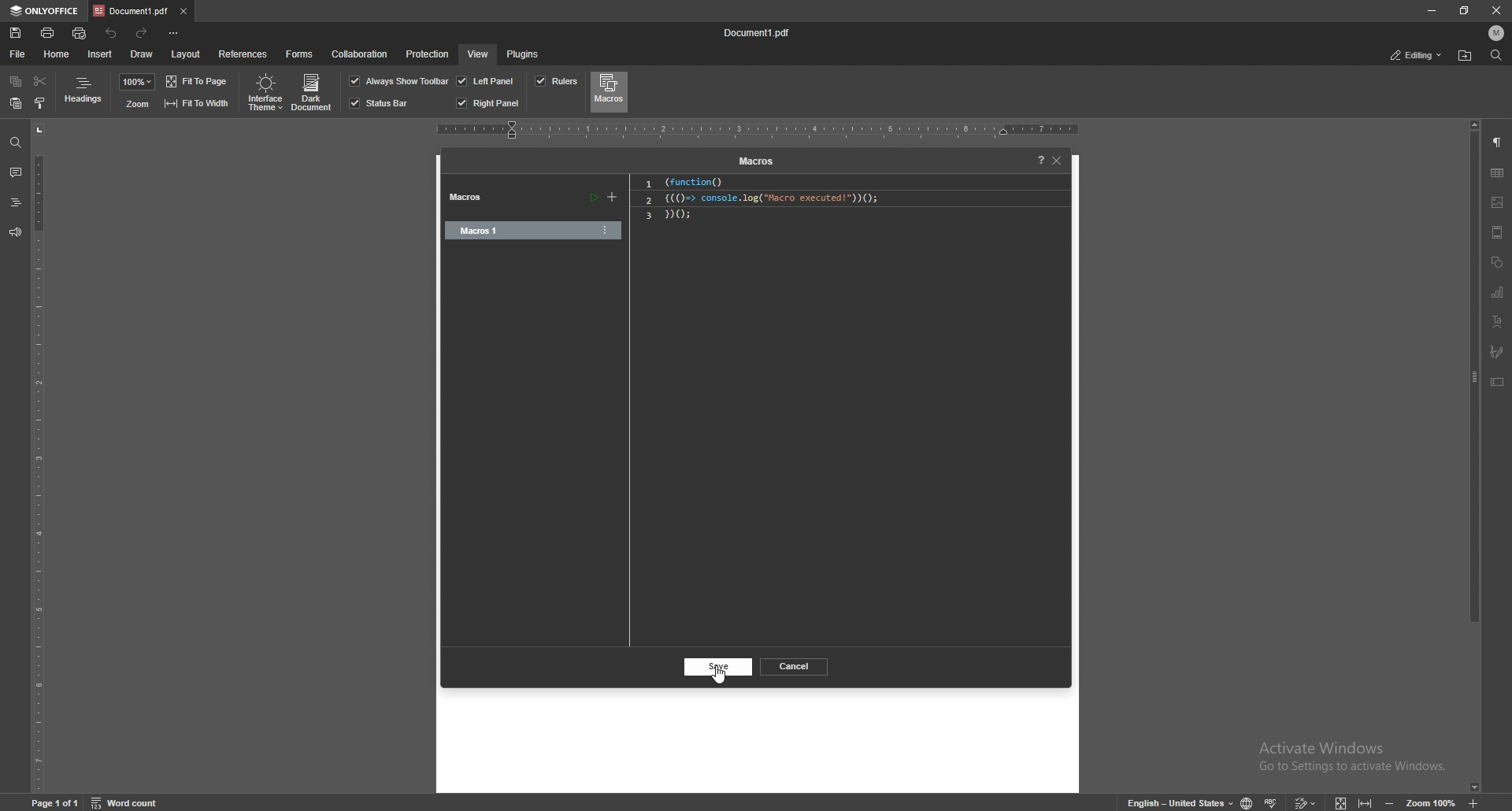 The height and width of the screenshot is (811, 1512). I want to click on paste, so click(16, 104).